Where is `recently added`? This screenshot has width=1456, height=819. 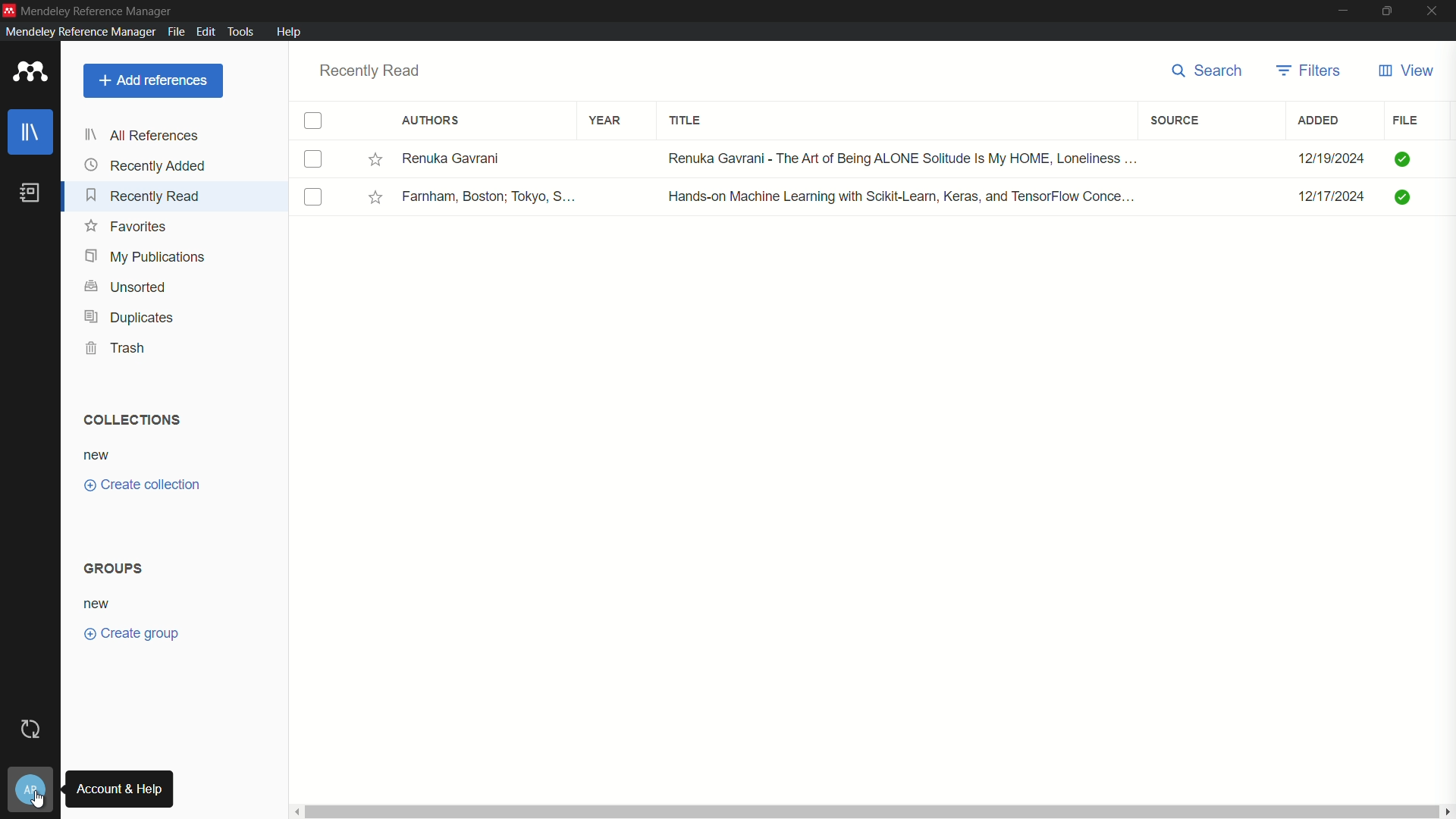 recently added is located at coordinates (145, 165).